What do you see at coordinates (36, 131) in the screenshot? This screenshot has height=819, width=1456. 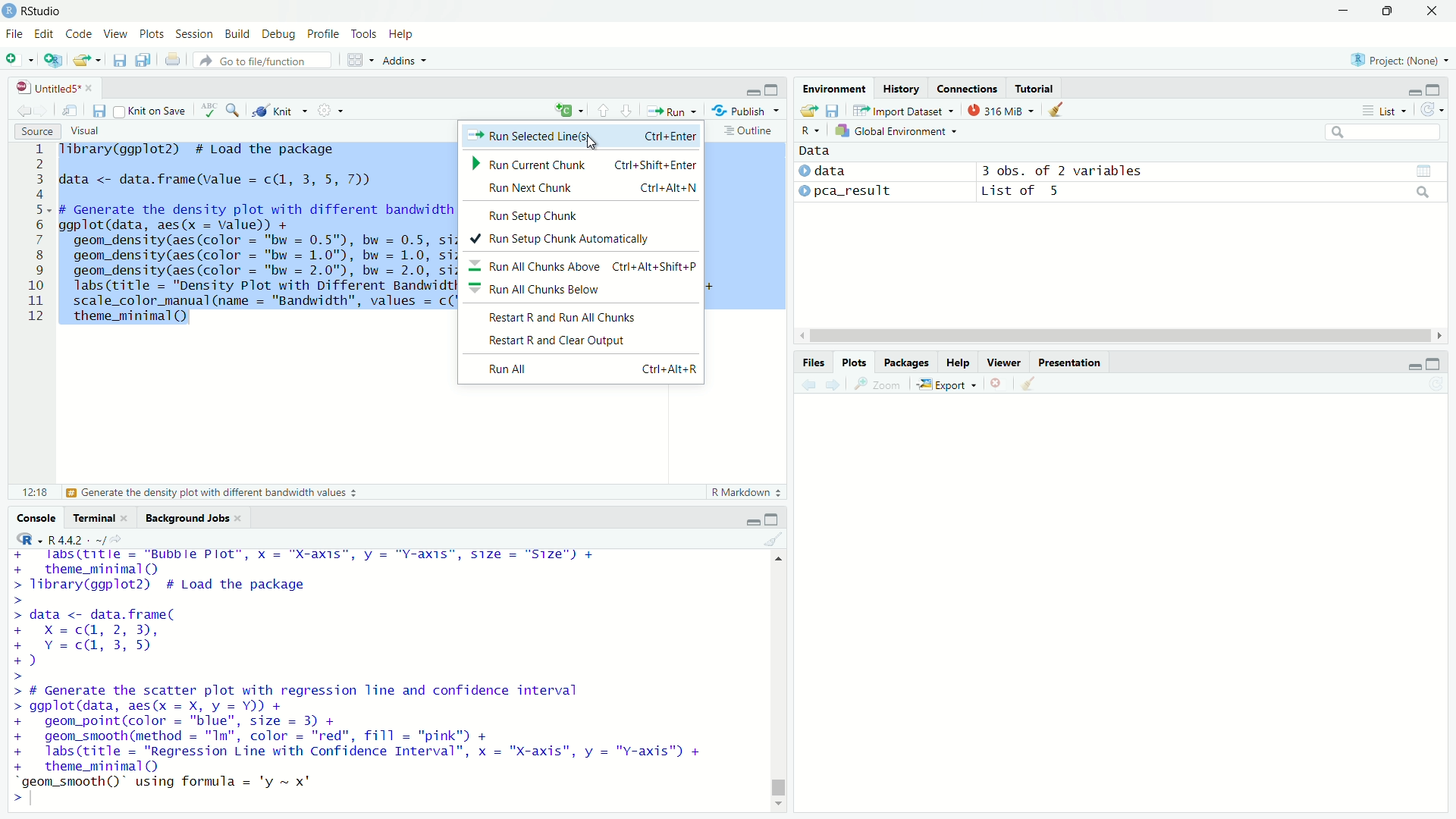 I see `Source` at bounding box center [36, 131].